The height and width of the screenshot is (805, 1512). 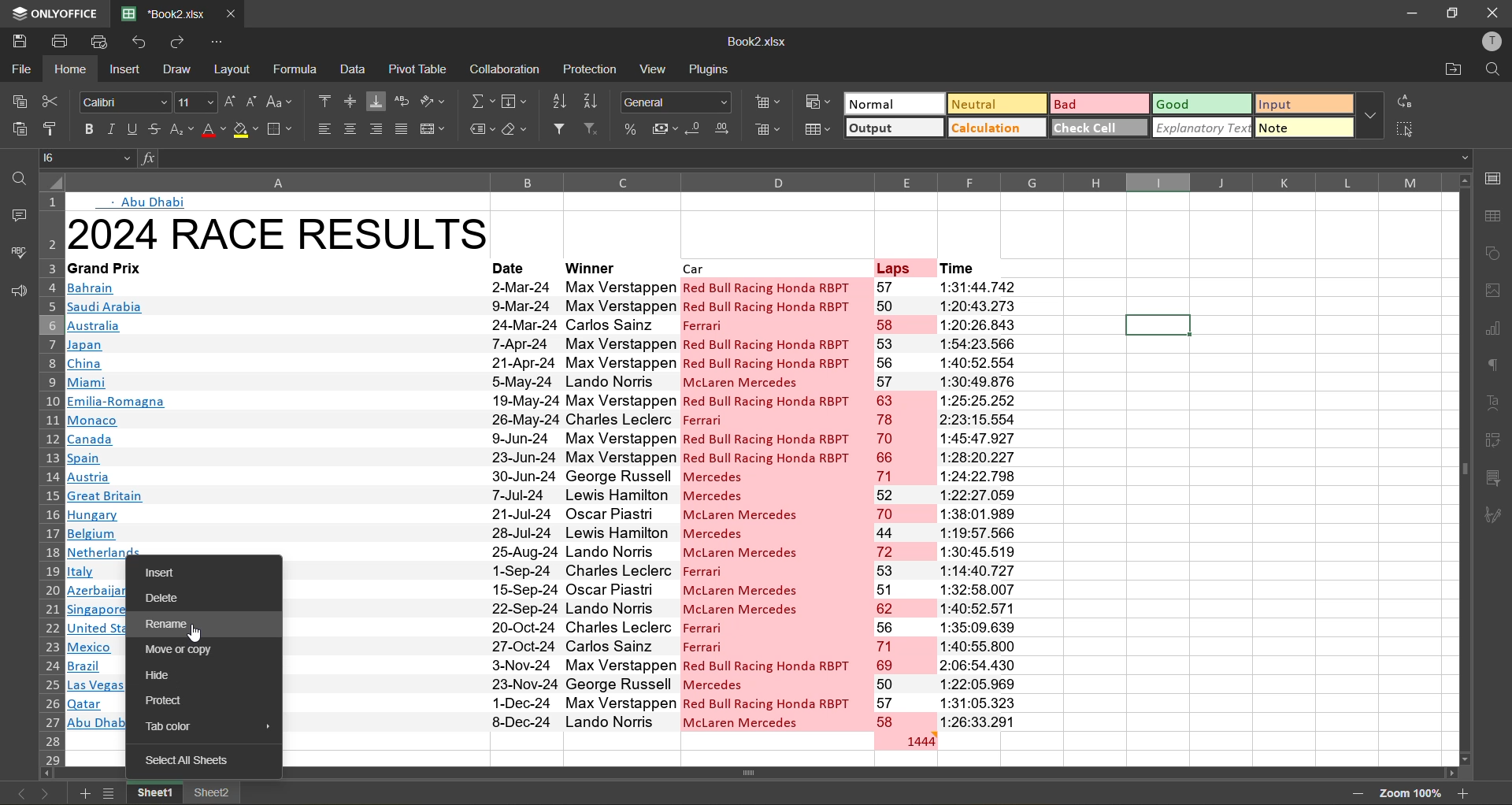 What do you see at coordinates (1304, 128) in the screenshot?
I see `note` at bounding box center [1304, 128].